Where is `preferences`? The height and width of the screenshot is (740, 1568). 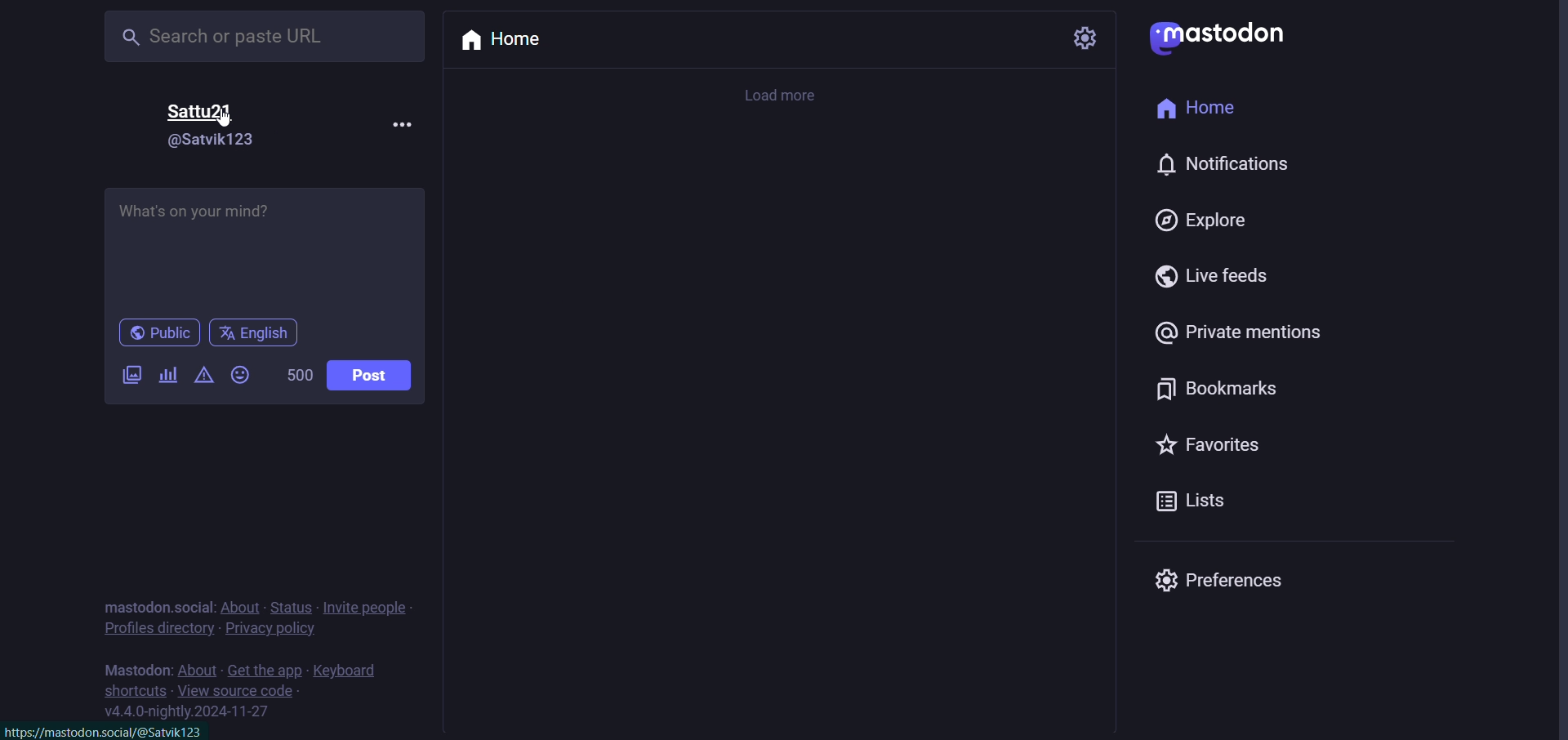
preferences is located at coordinates (1218, 579).